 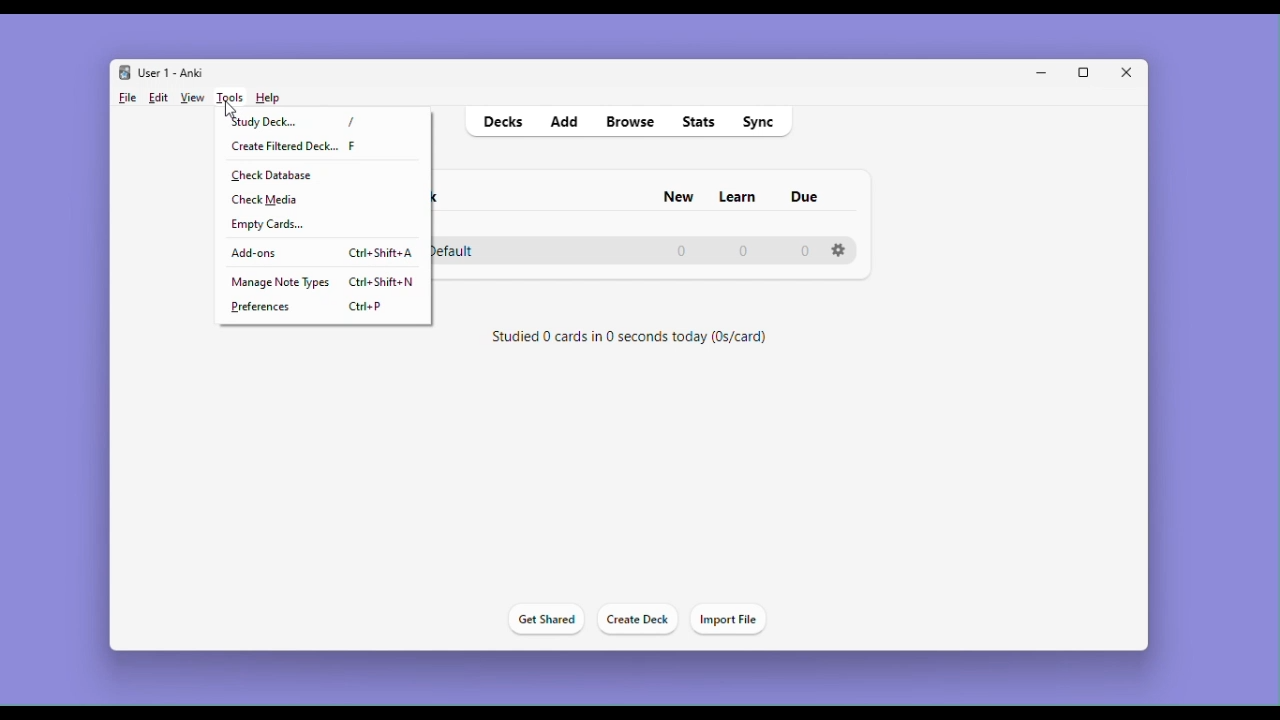 I want to click on check Media , so click(x=268, y=201).